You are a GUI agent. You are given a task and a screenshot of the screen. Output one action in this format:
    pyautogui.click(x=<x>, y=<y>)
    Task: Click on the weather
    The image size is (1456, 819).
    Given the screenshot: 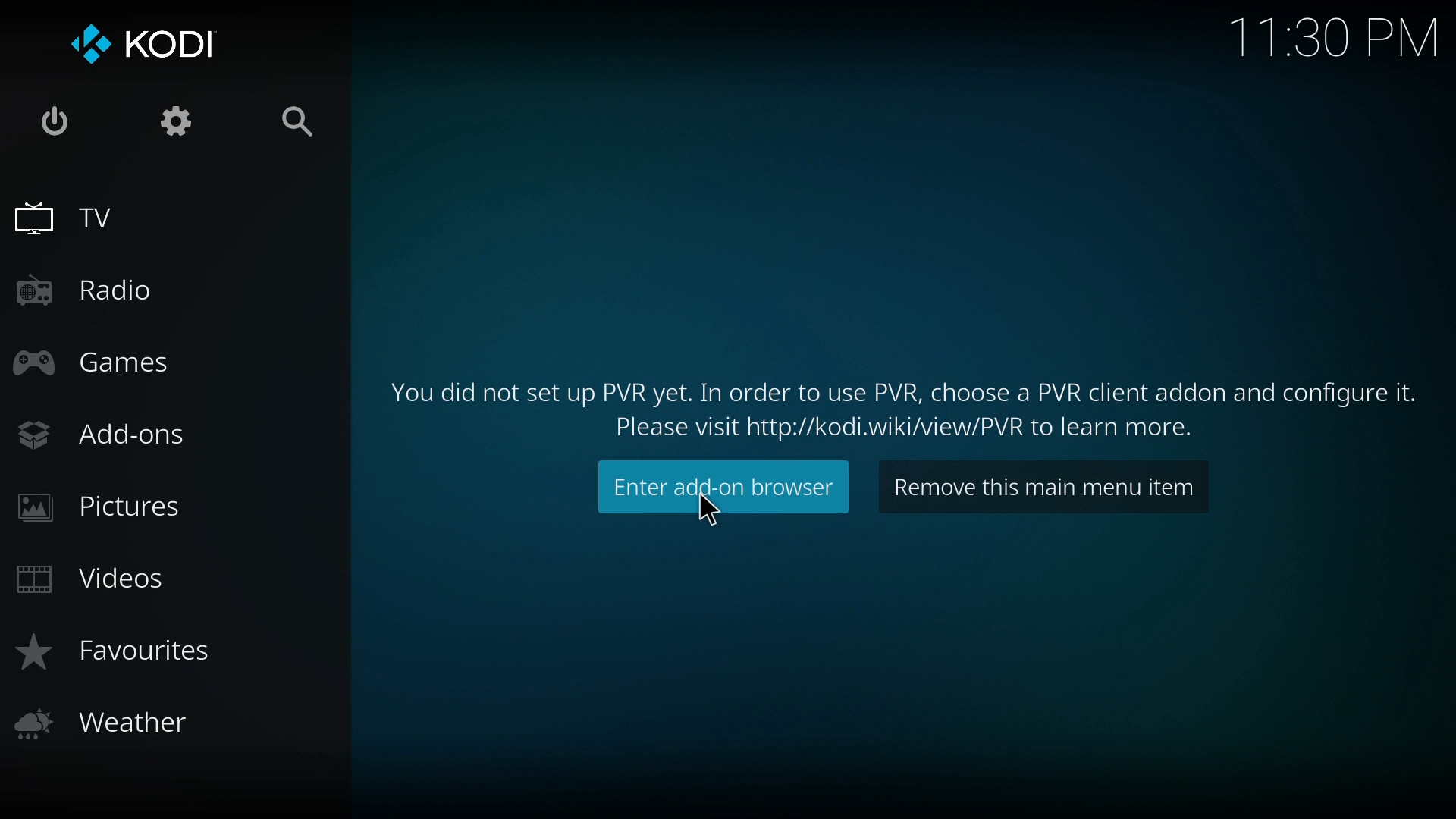 What is the action you would take?
    pyautogui.click(x=113, y=728)
    